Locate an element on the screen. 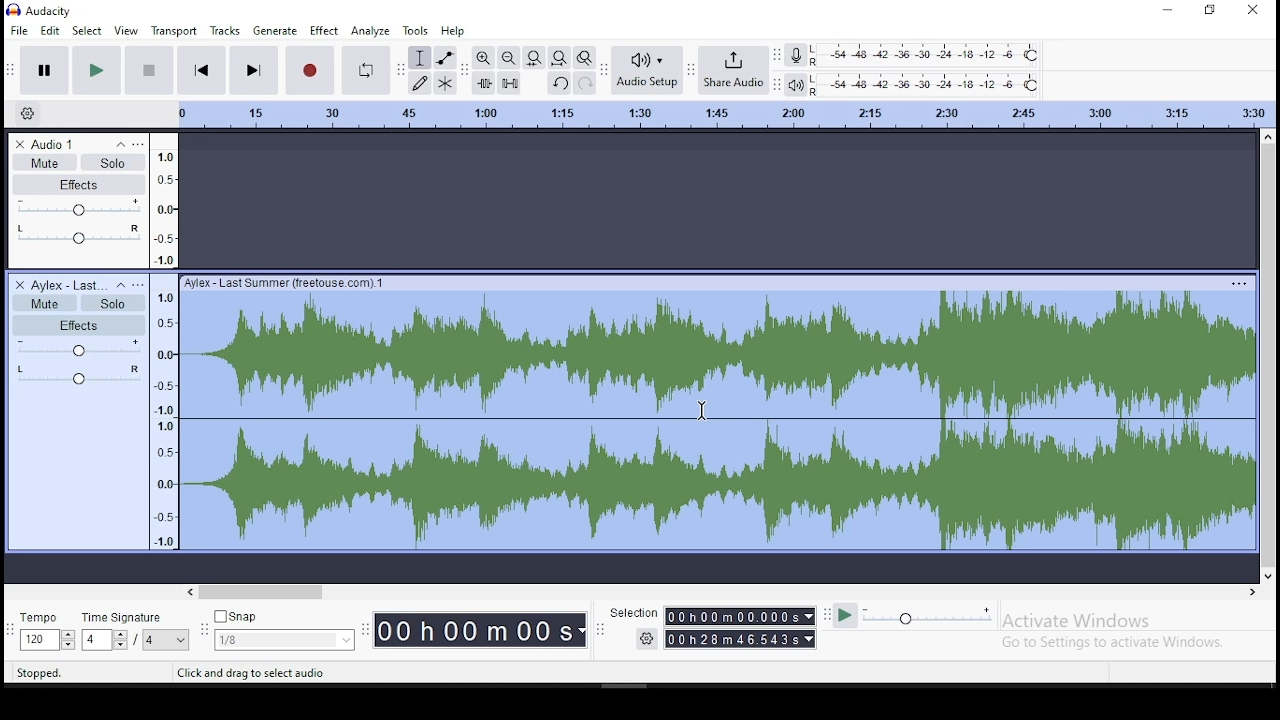  tool tips is located at coordinates (45, 674).